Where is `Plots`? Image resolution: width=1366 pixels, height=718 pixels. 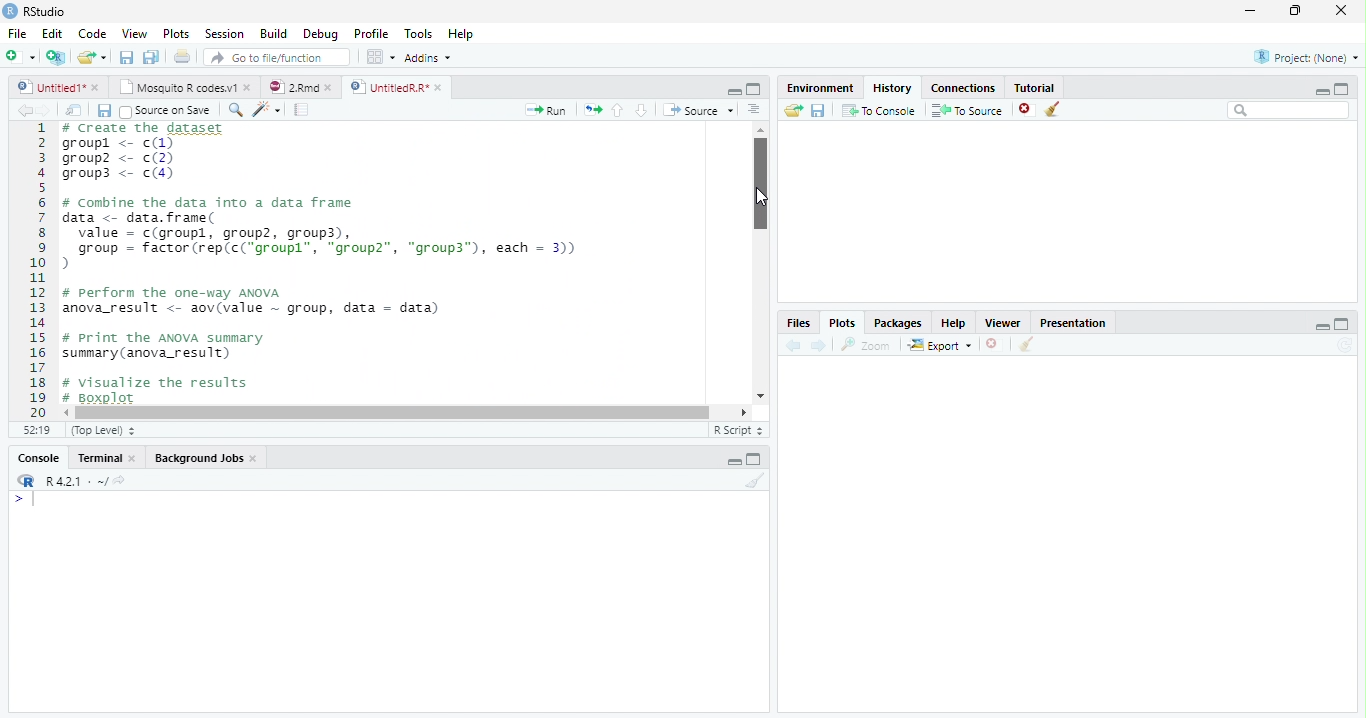 Plots is located at coordinates (176, 34).